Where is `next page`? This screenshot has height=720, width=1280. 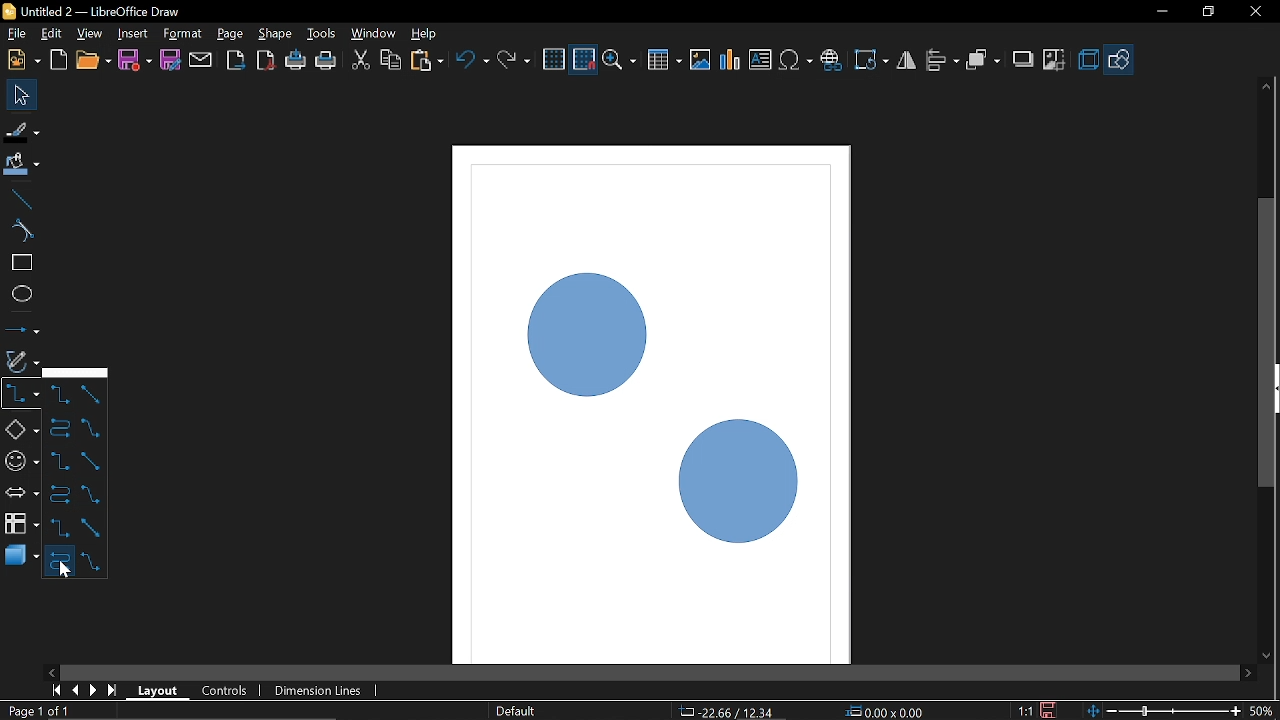
next page is located at coordinates (94, 689).